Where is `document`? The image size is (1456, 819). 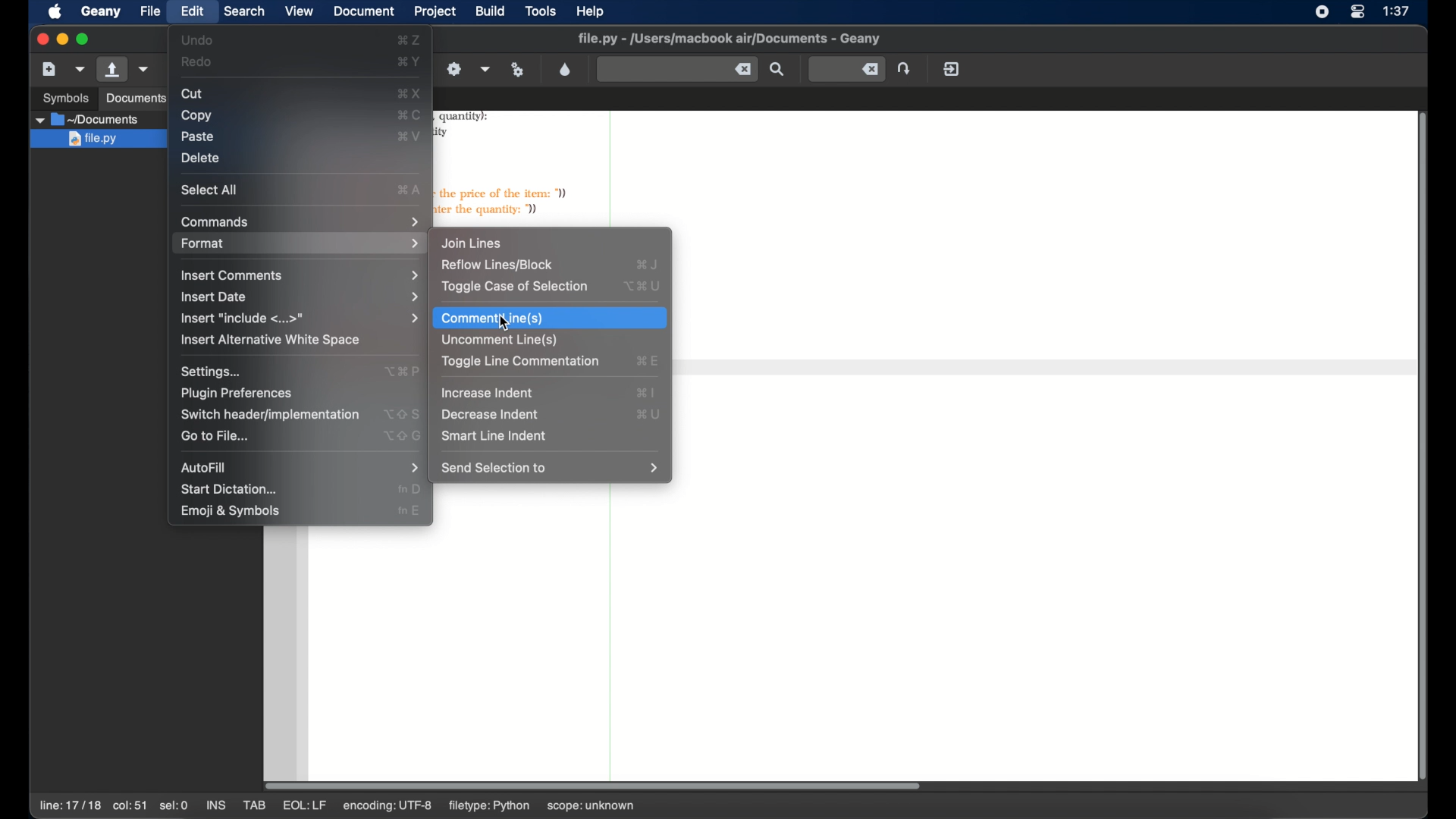 document is located at coordinates (365, 11).